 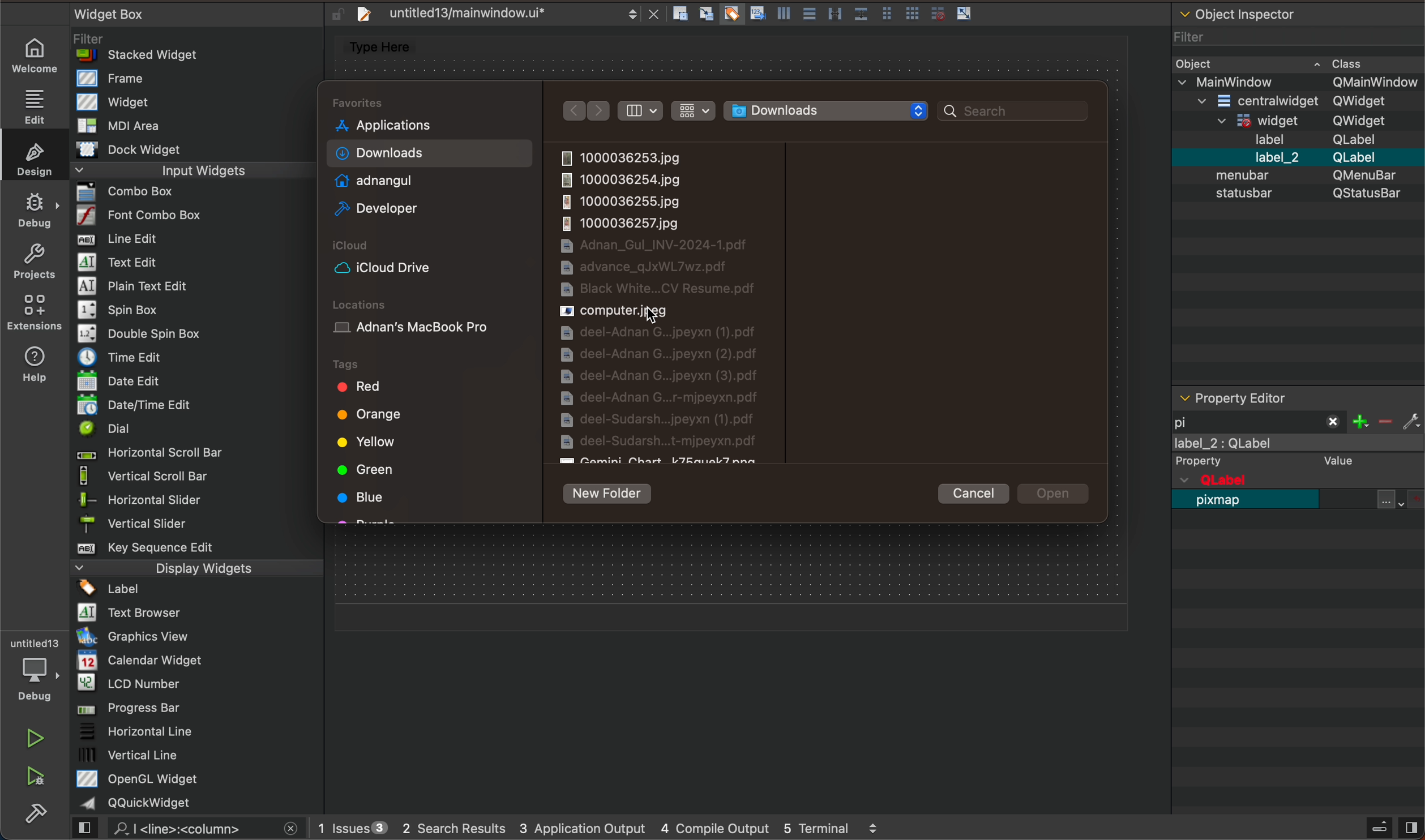 I want to click on file and resources select, so click(x=1402, y=499).